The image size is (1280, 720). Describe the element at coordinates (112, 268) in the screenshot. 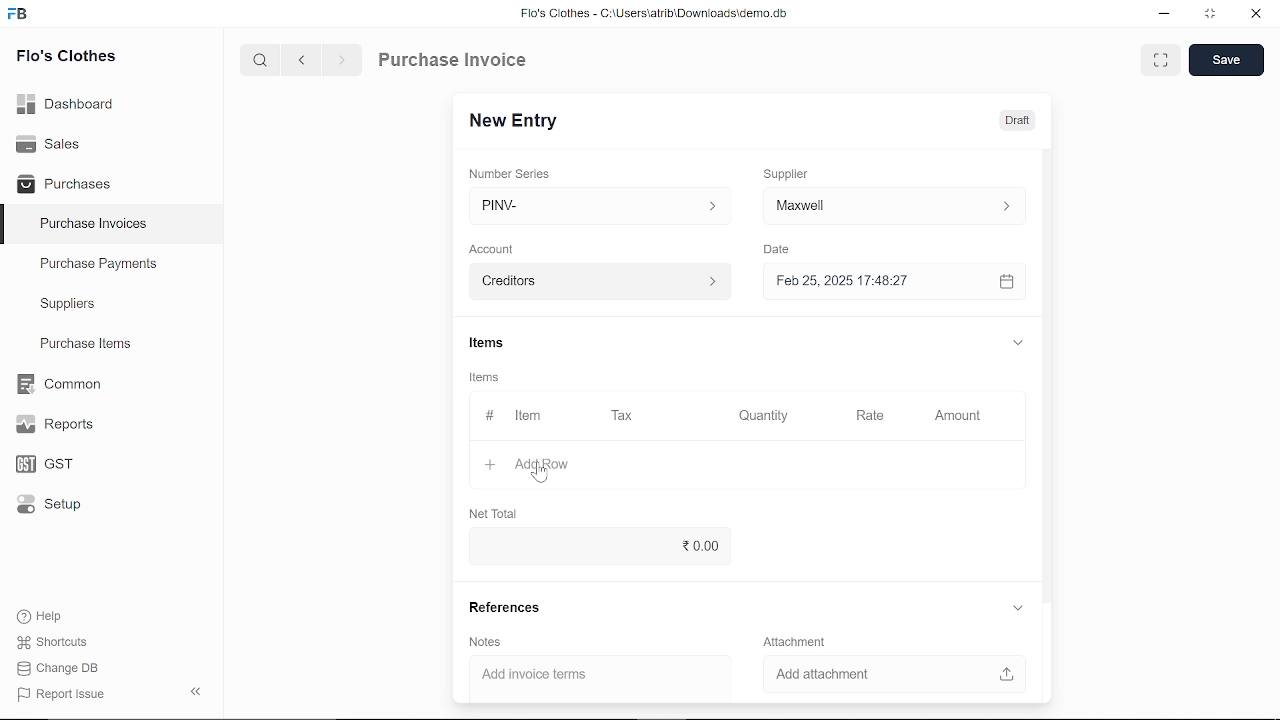

I see `Purchase Payments` at that location.